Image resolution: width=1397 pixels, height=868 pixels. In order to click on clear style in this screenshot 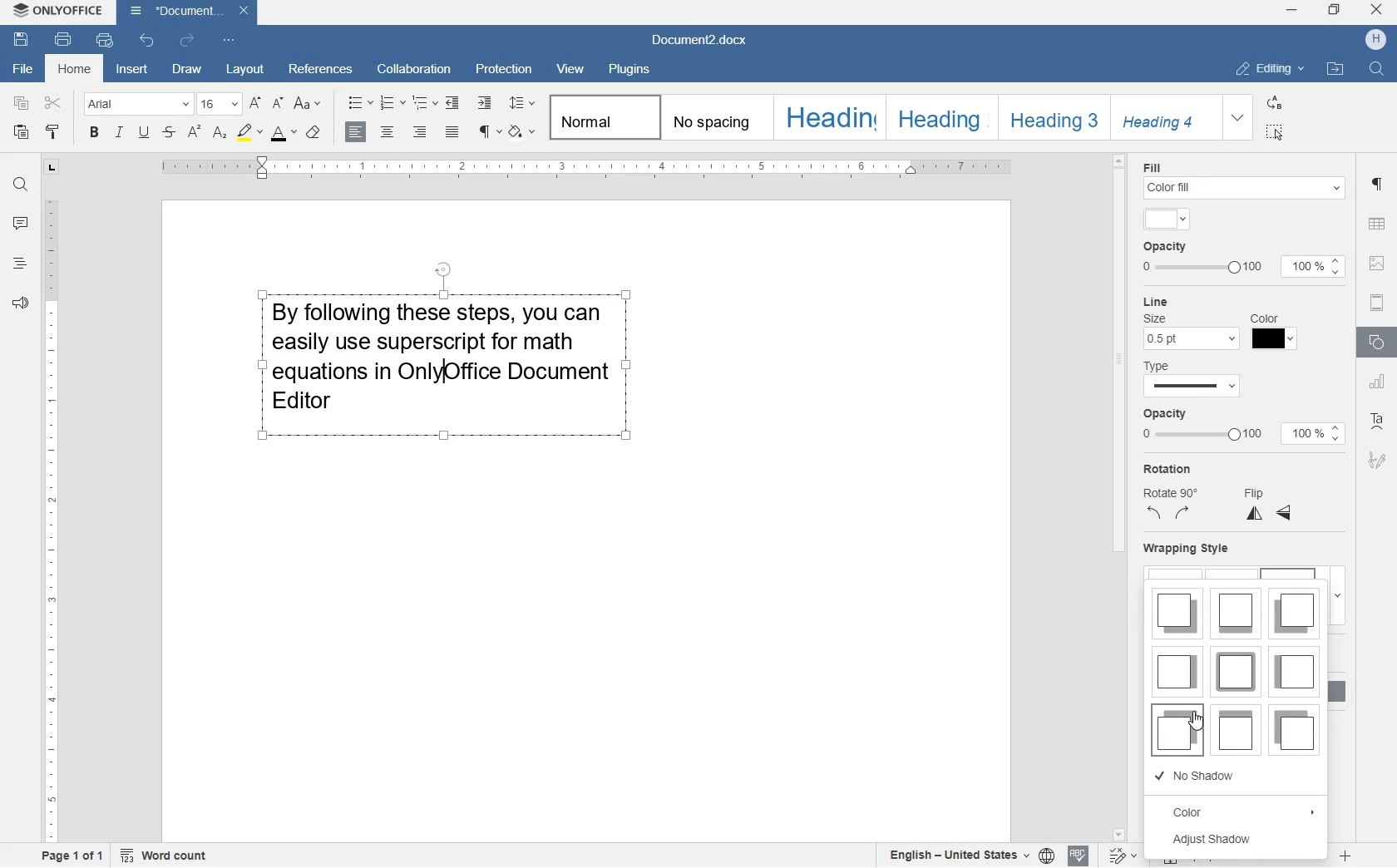, I will do `click(313, 133)`.